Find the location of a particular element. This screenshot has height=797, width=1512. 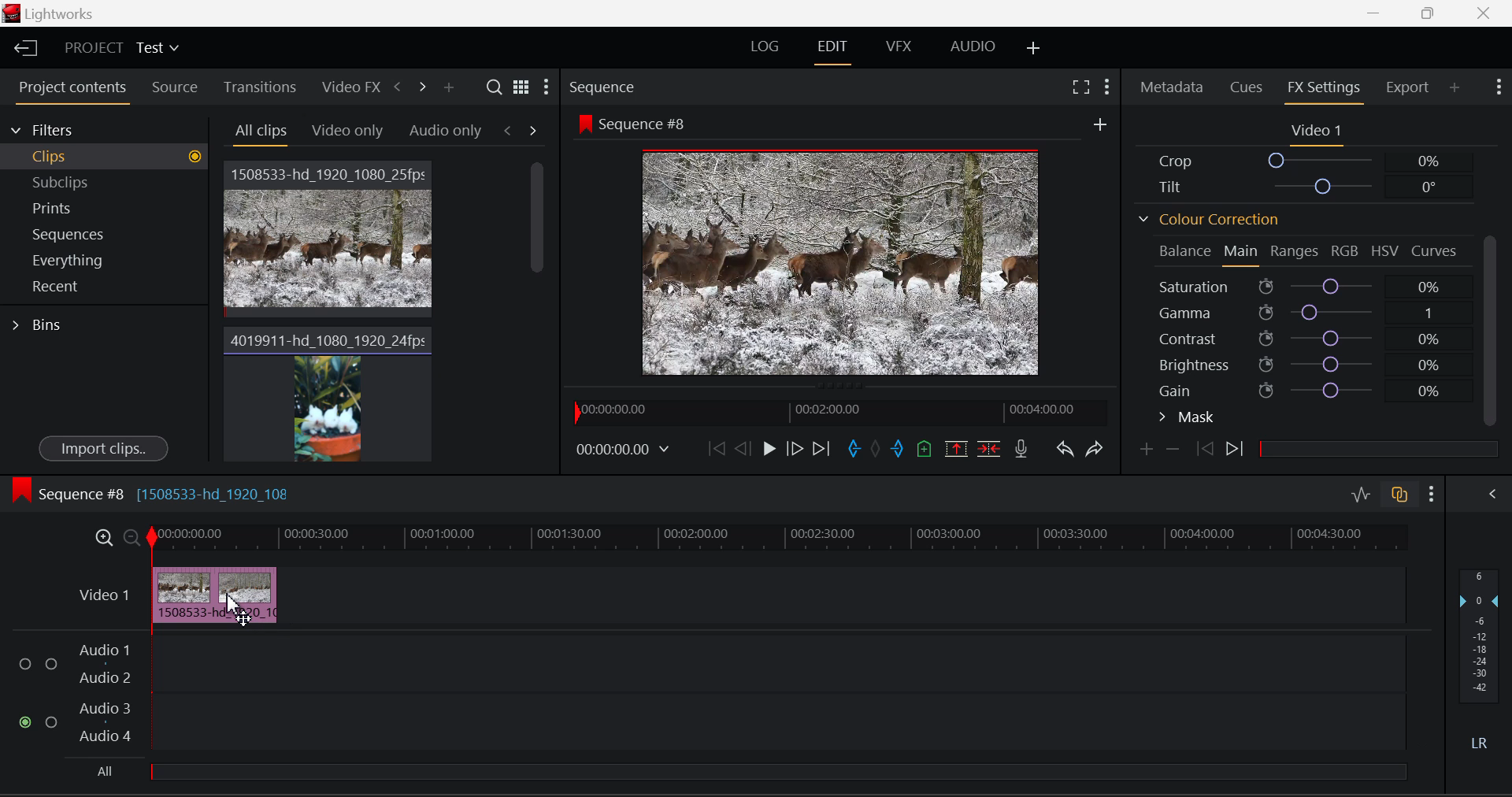

Filters Selection is located at coordinates (102, 129).